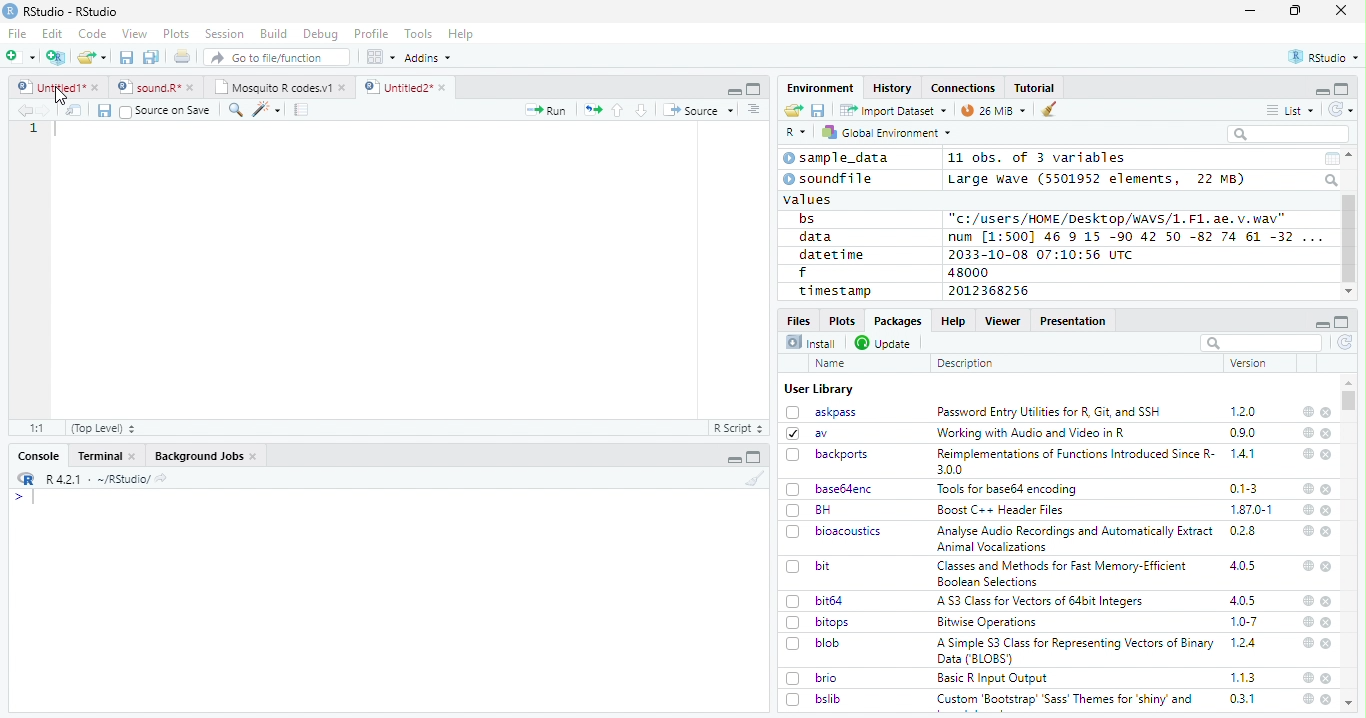 The height and width of the screenshot is (718, 1366). Describe the element at coordinates (841, 320) in the screenshot. I see `Plots` at that location.